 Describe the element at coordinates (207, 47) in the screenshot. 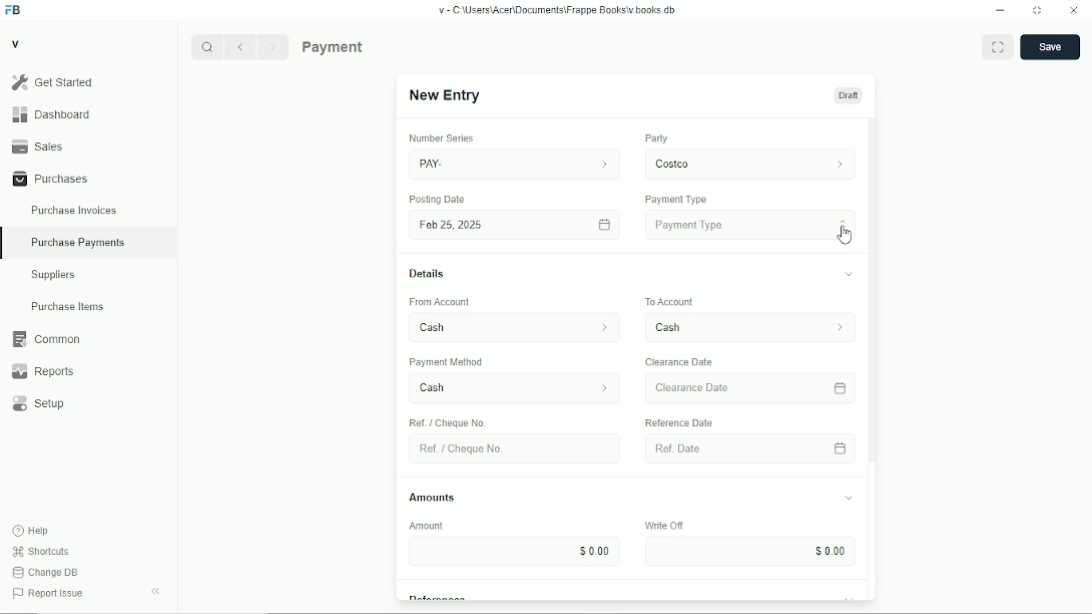

I see `Search` at that location.